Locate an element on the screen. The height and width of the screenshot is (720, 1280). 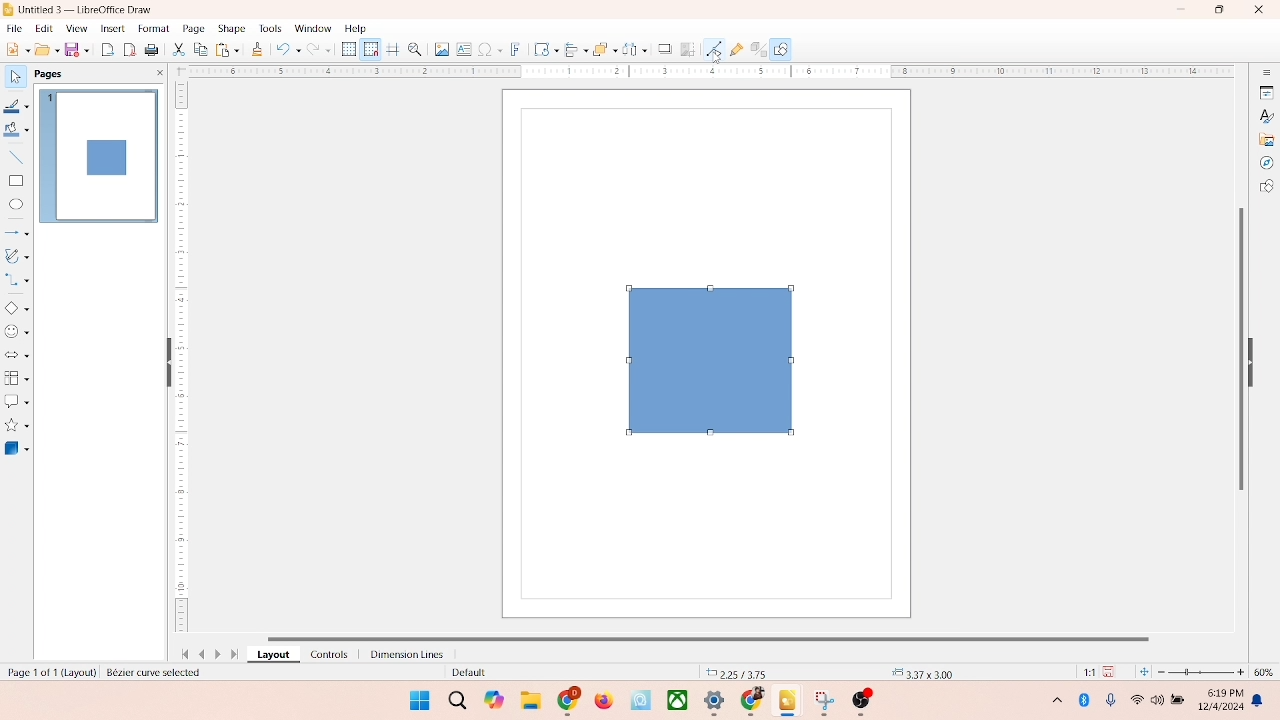
shapes is located at coordinates (706, 359).